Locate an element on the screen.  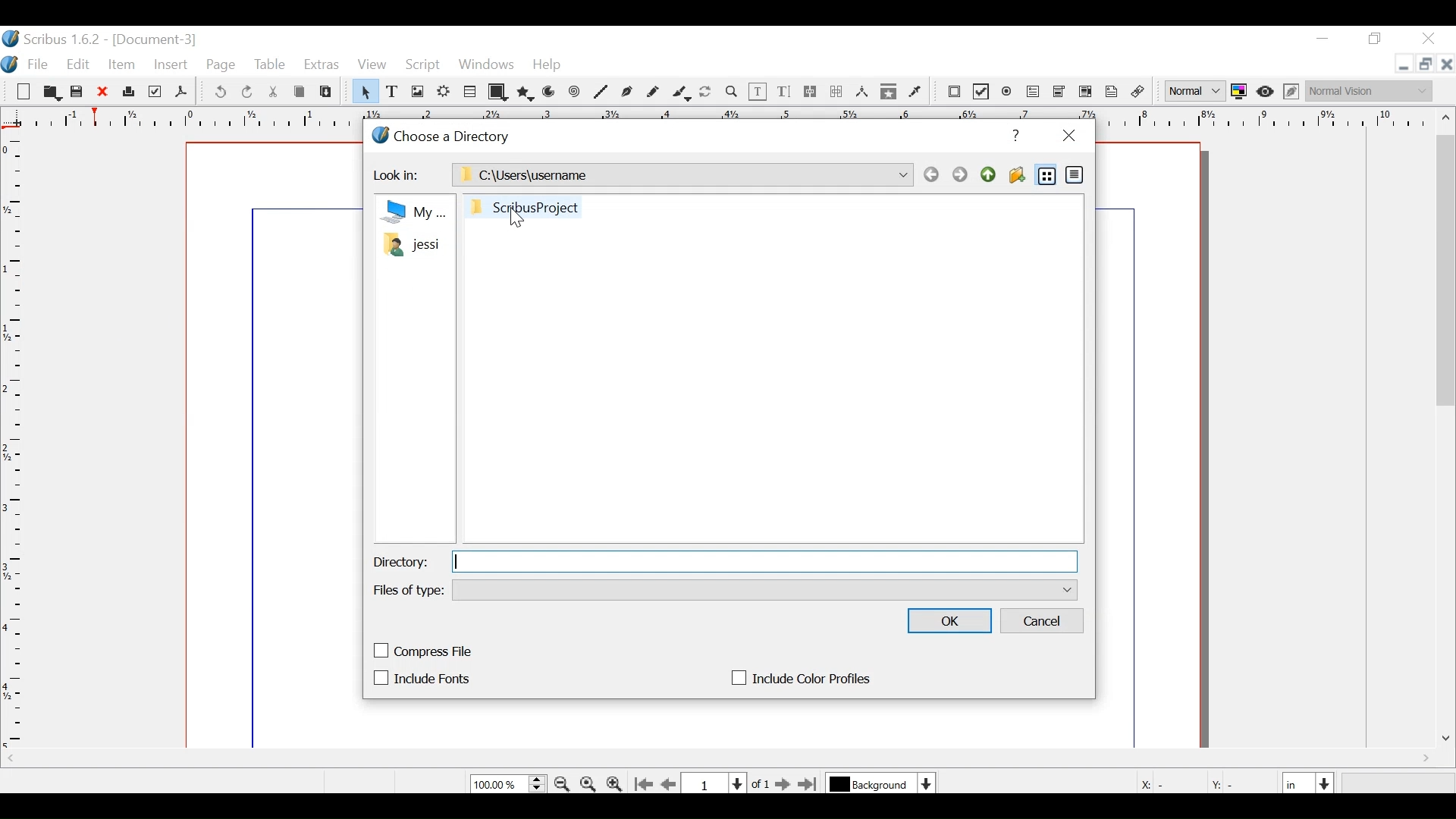
Help is located at coordinates (1013, 136).